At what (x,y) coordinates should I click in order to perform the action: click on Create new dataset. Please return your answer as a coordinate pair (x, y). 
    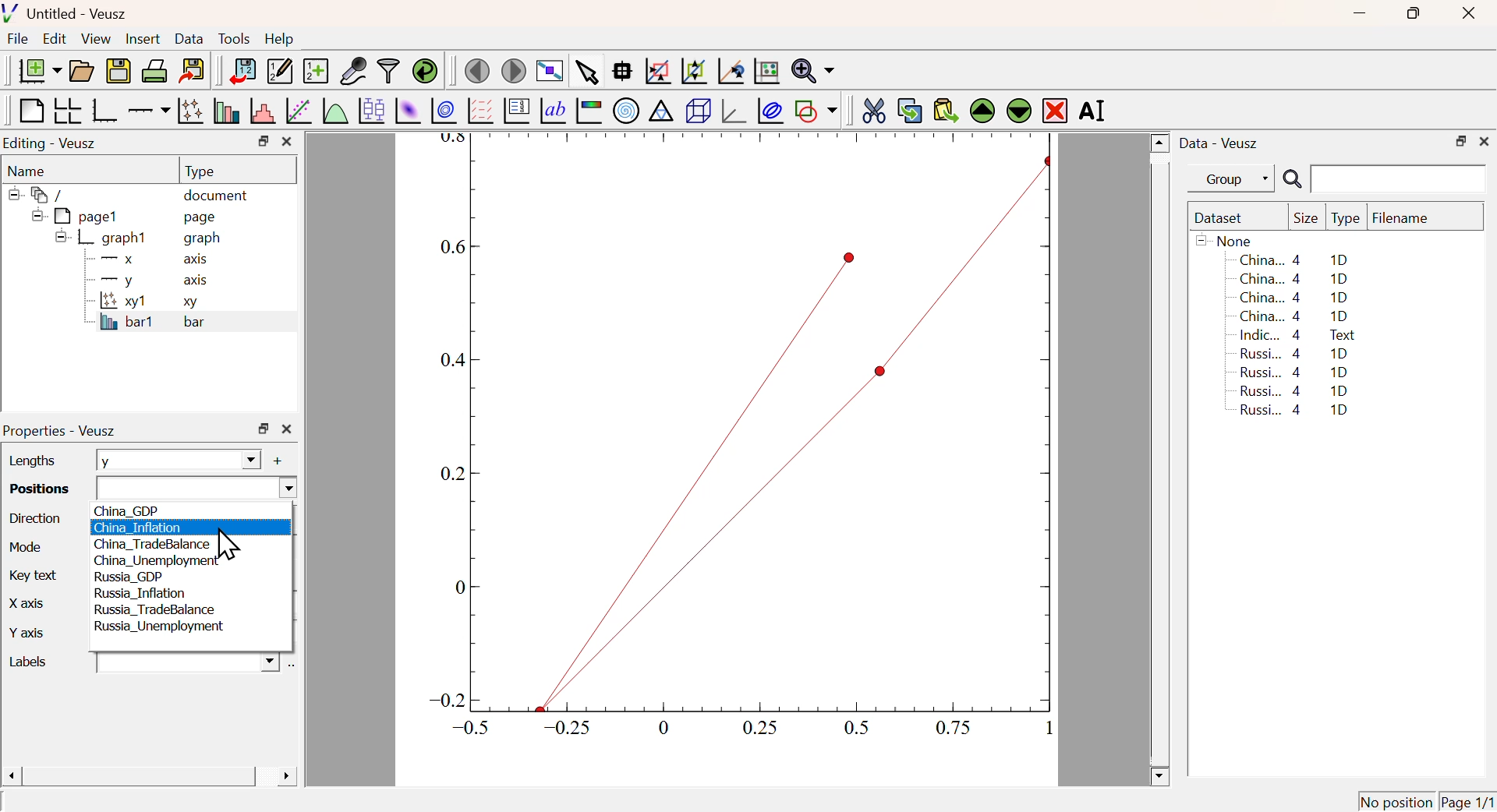
    Looking at the image, I should click on (315, 72).